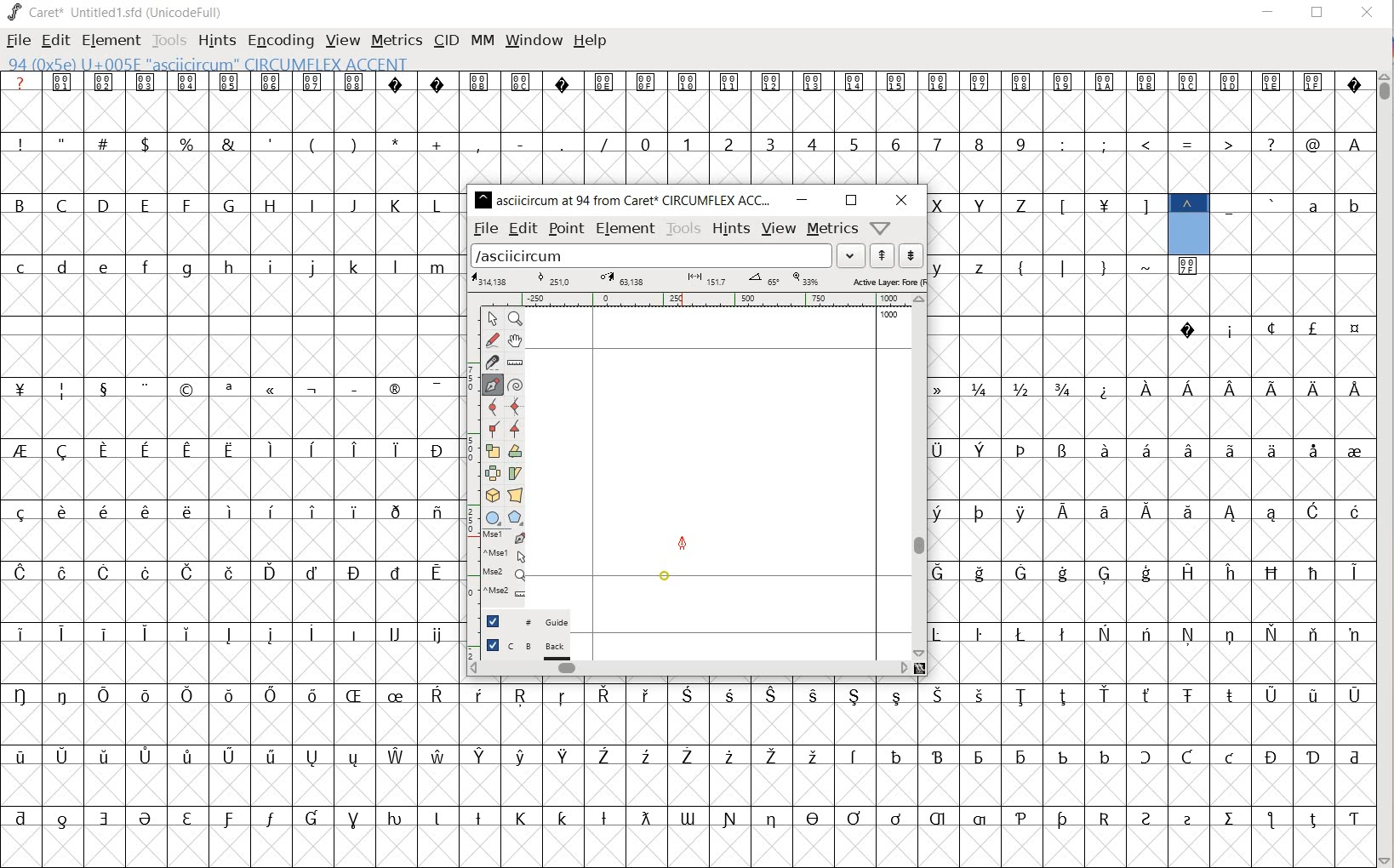  What do you see at coordinates (518, 319) in the screenshot?
I see `MAGNIFY` at bounding box center [518, 319].